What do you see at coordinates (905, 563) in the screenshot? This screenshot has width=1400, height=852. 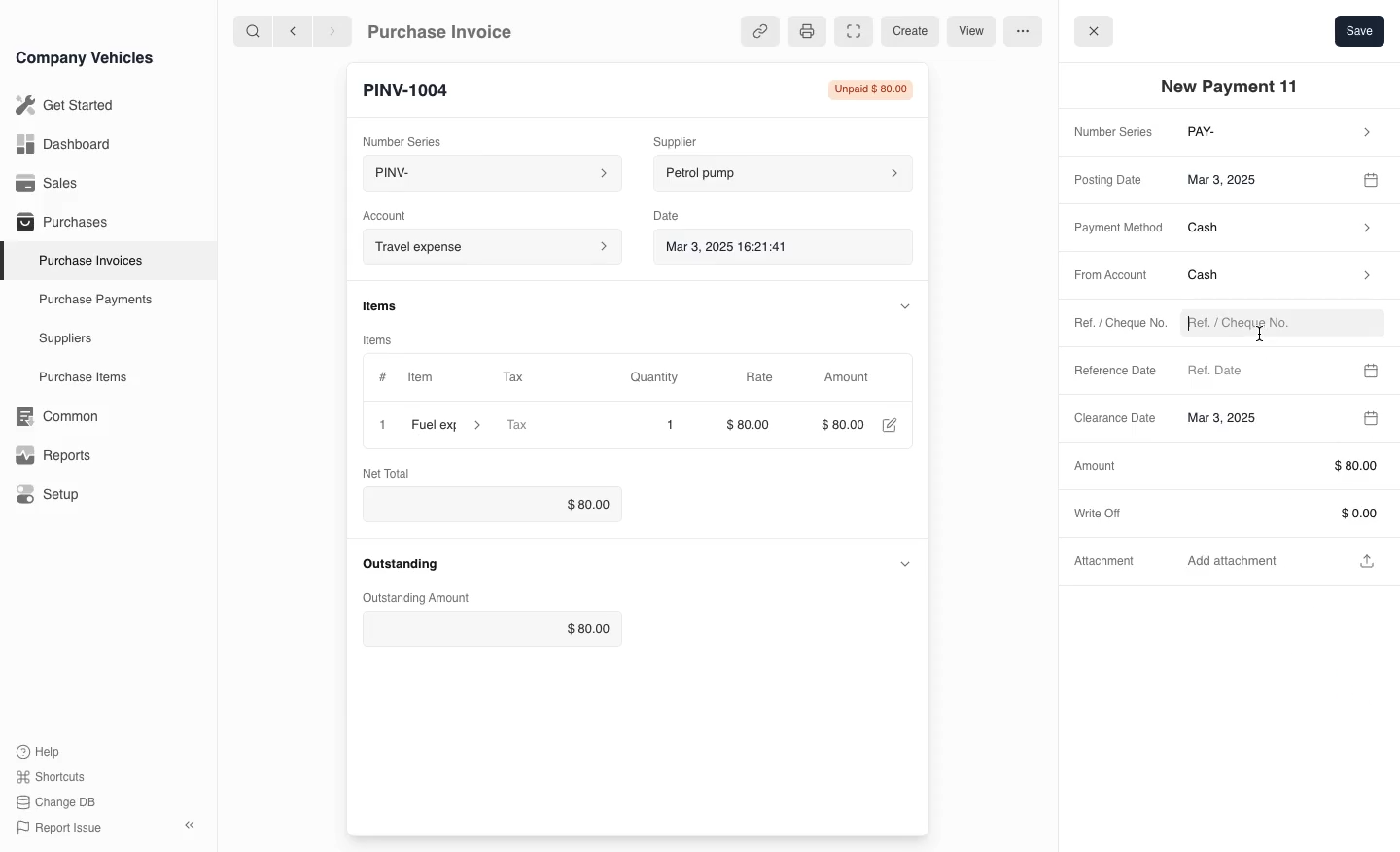 I see `expand` at bounding box center [905, 563].